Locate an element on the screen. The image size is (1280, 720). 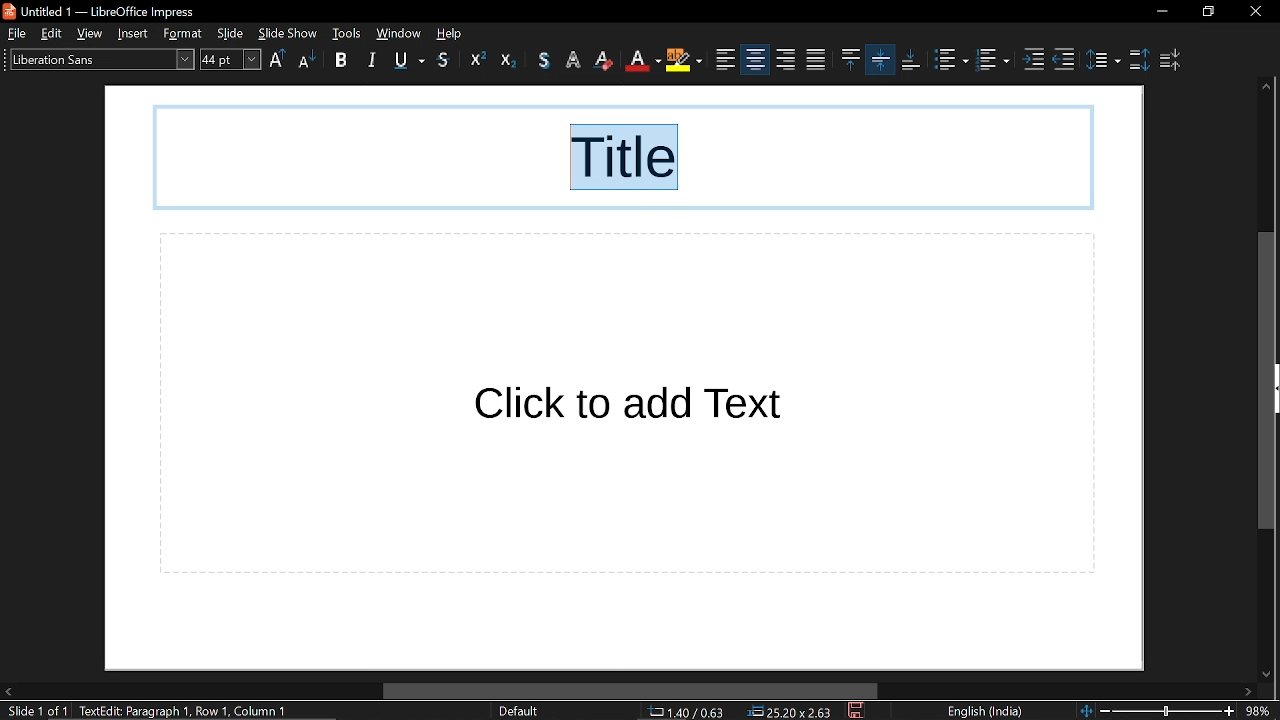
help is located at coordinates (454, 33).